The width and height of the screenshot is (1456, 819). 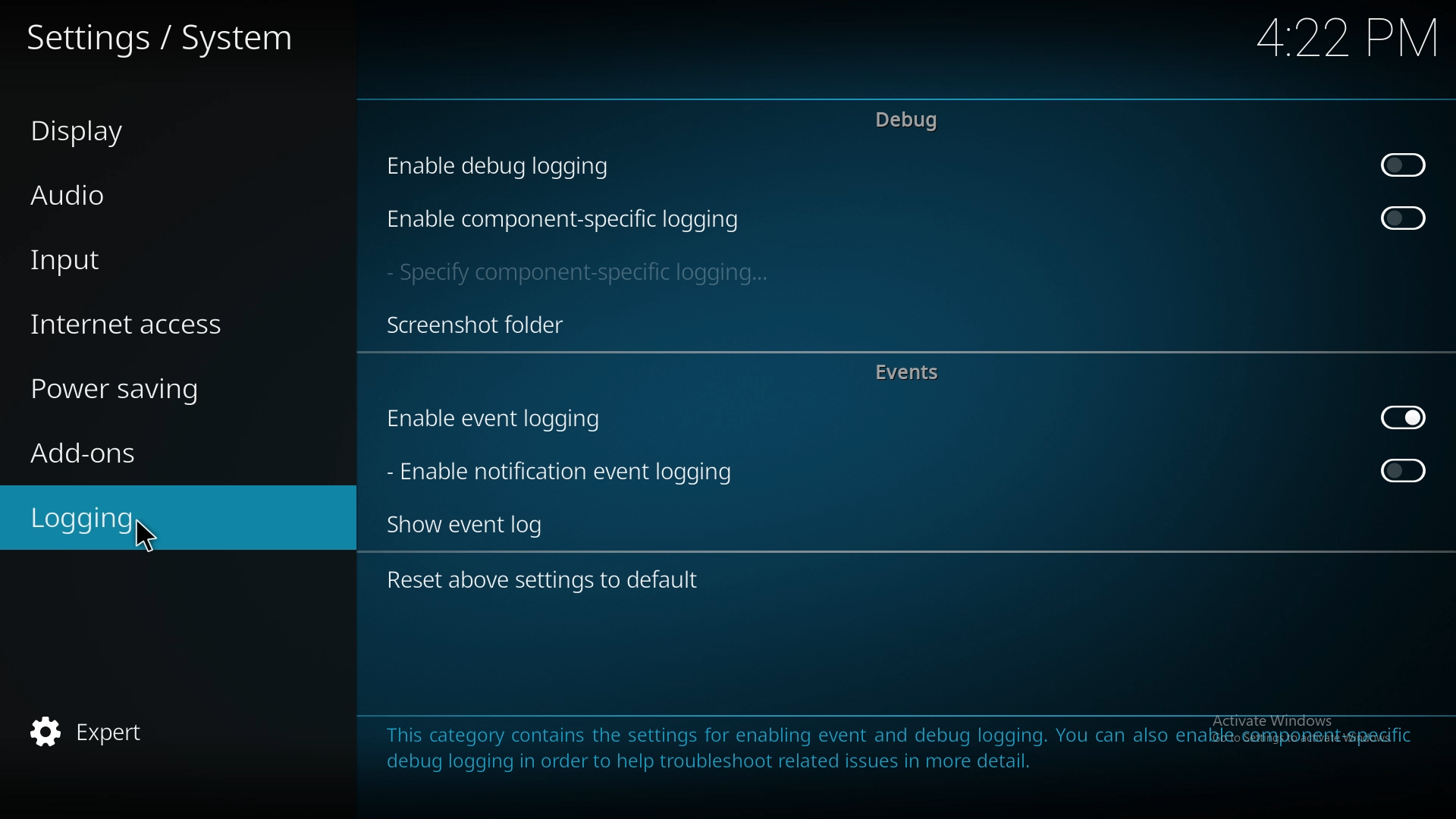 I want to click on screenshot folder, so click(x=476, y=325).